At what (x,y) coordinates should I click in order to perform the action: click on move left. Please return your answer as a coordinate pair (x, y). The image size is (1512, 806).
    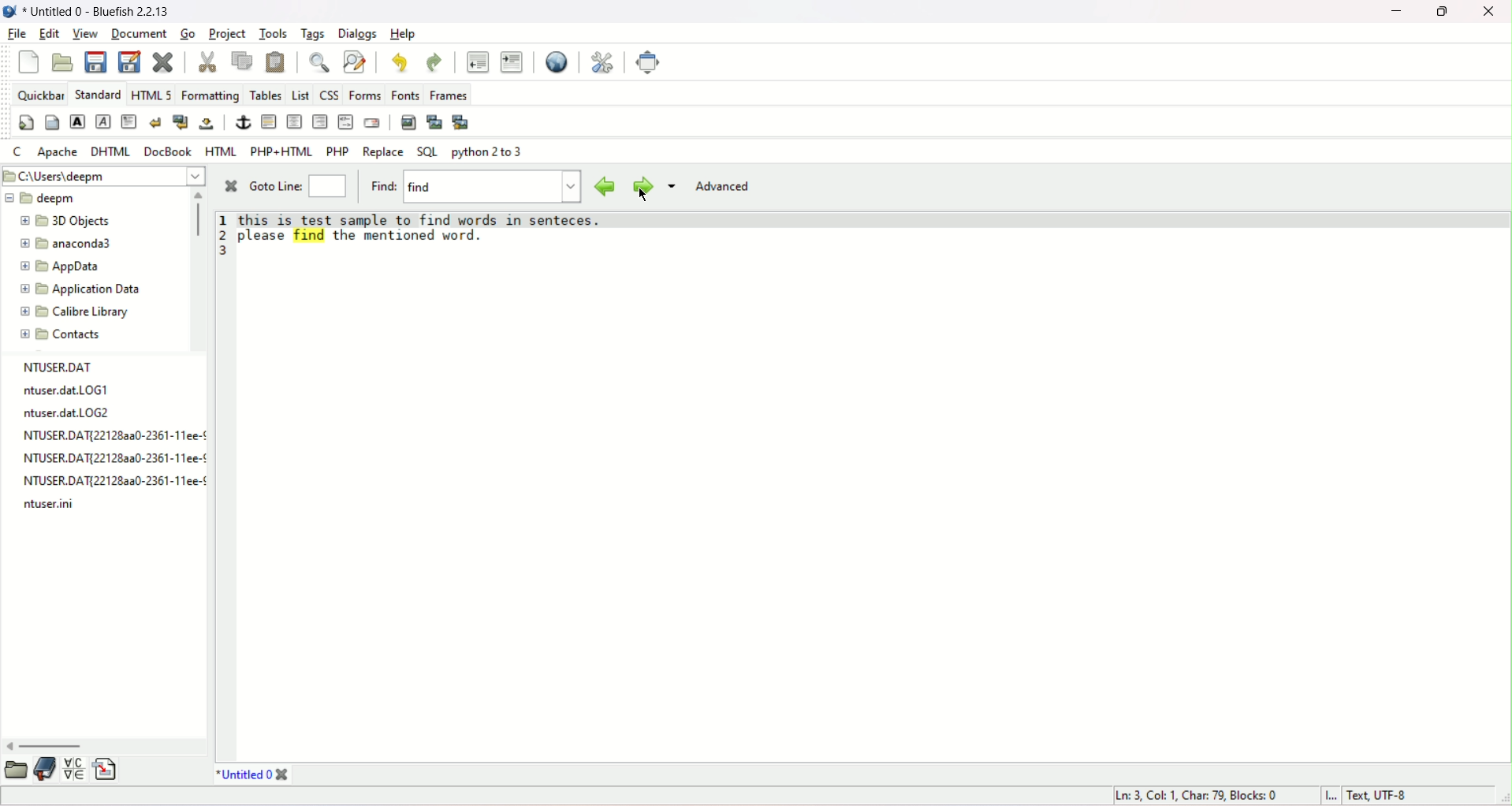
    Looking at the image, I should click on (9, 744).